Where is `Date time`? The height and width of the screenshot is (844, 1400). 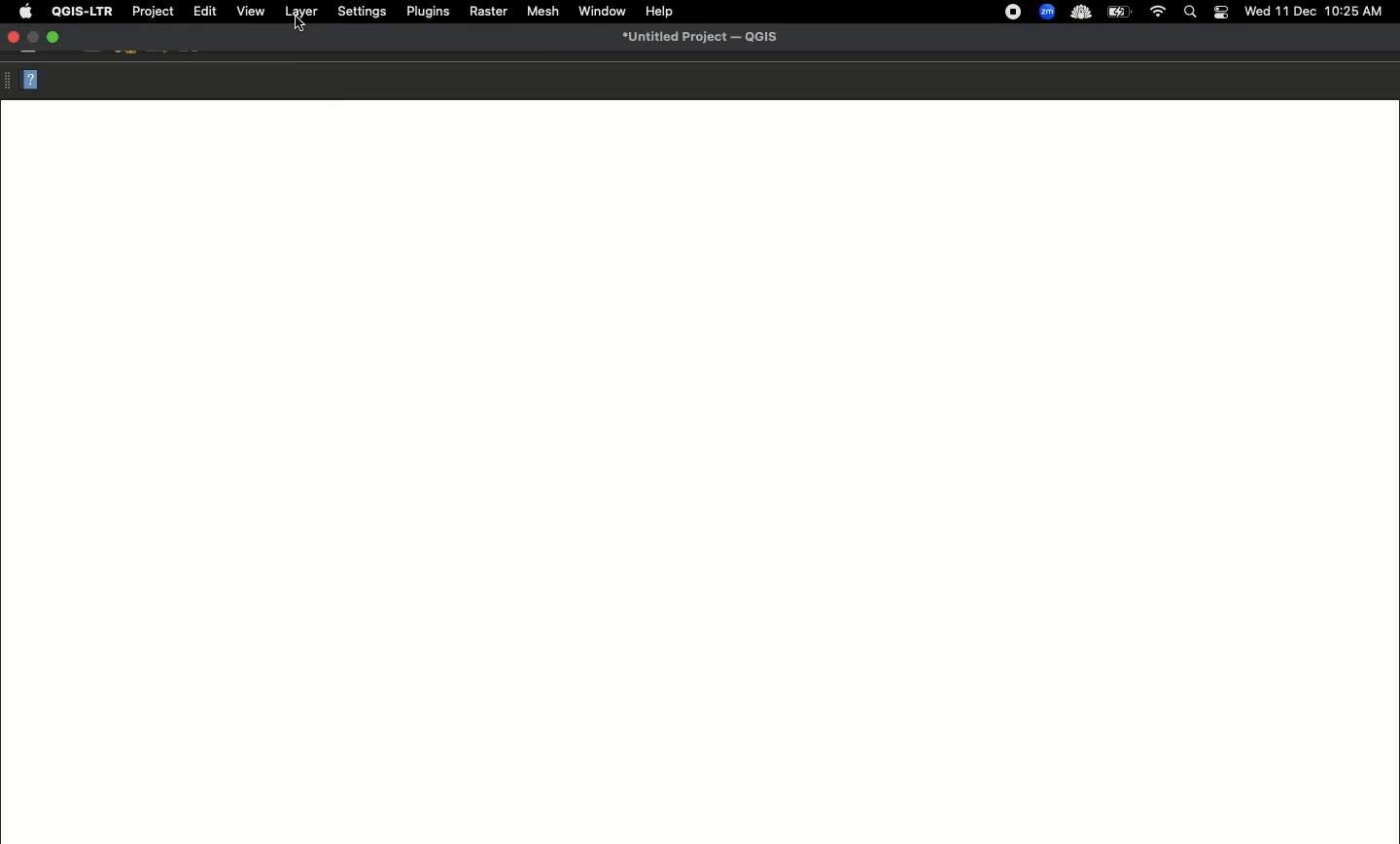 Date time is located at coordinates (1313, 11).